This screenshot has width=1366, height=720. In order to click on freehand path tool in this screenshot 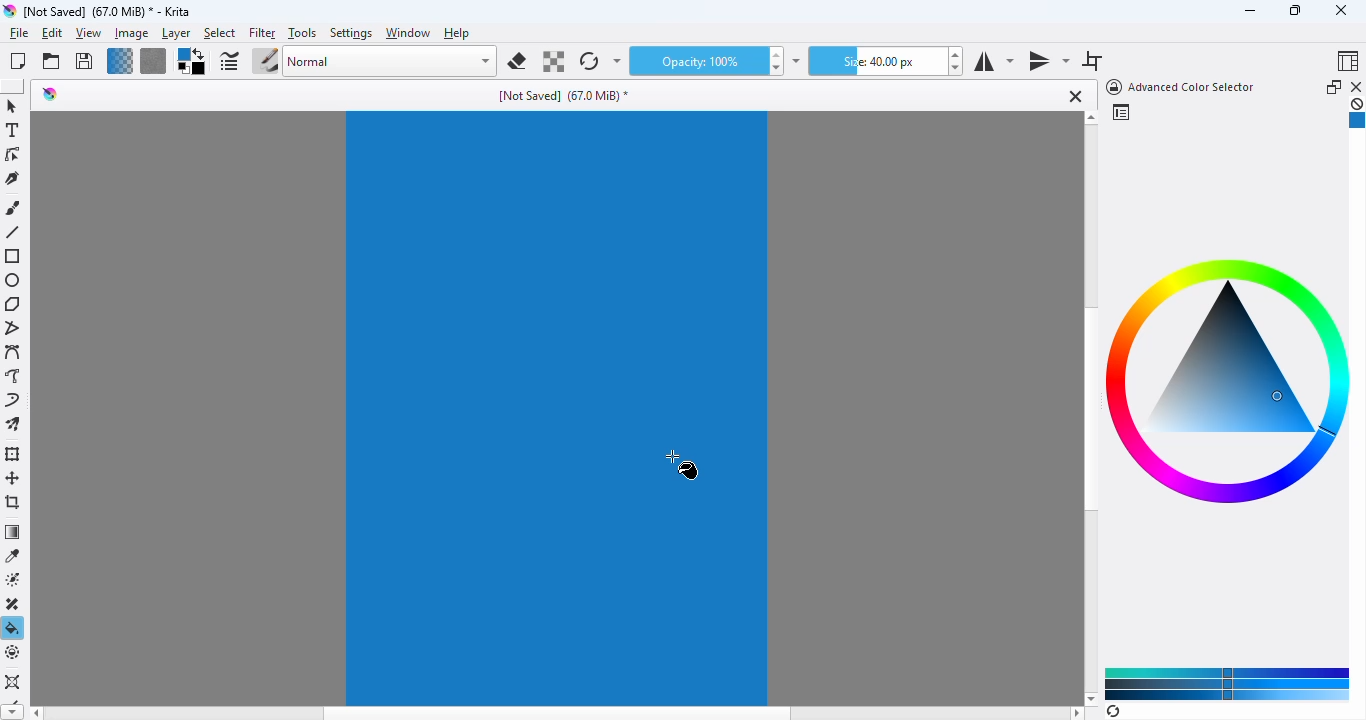, I will do `click(14, 375)`.